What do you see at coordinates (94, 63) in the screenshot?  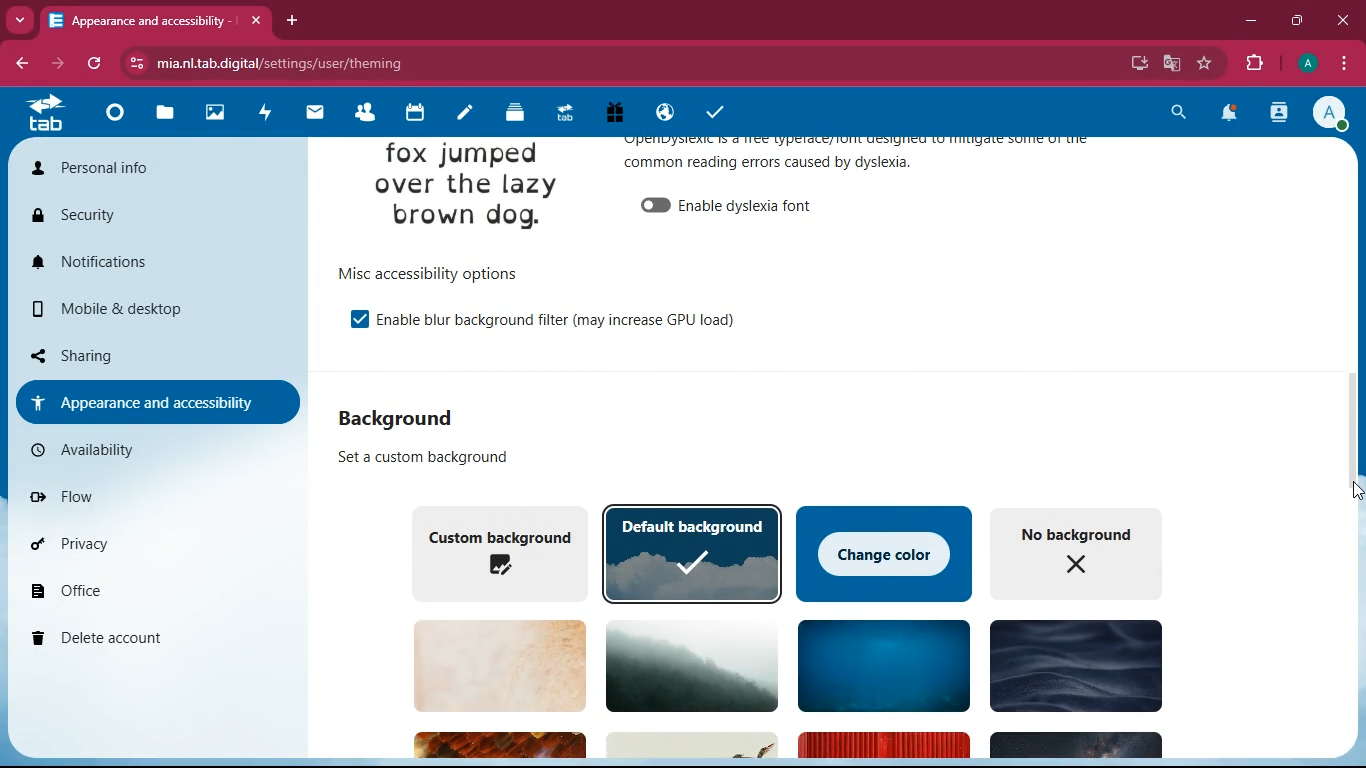 I see `refresh` at bounding box center [94, 63].